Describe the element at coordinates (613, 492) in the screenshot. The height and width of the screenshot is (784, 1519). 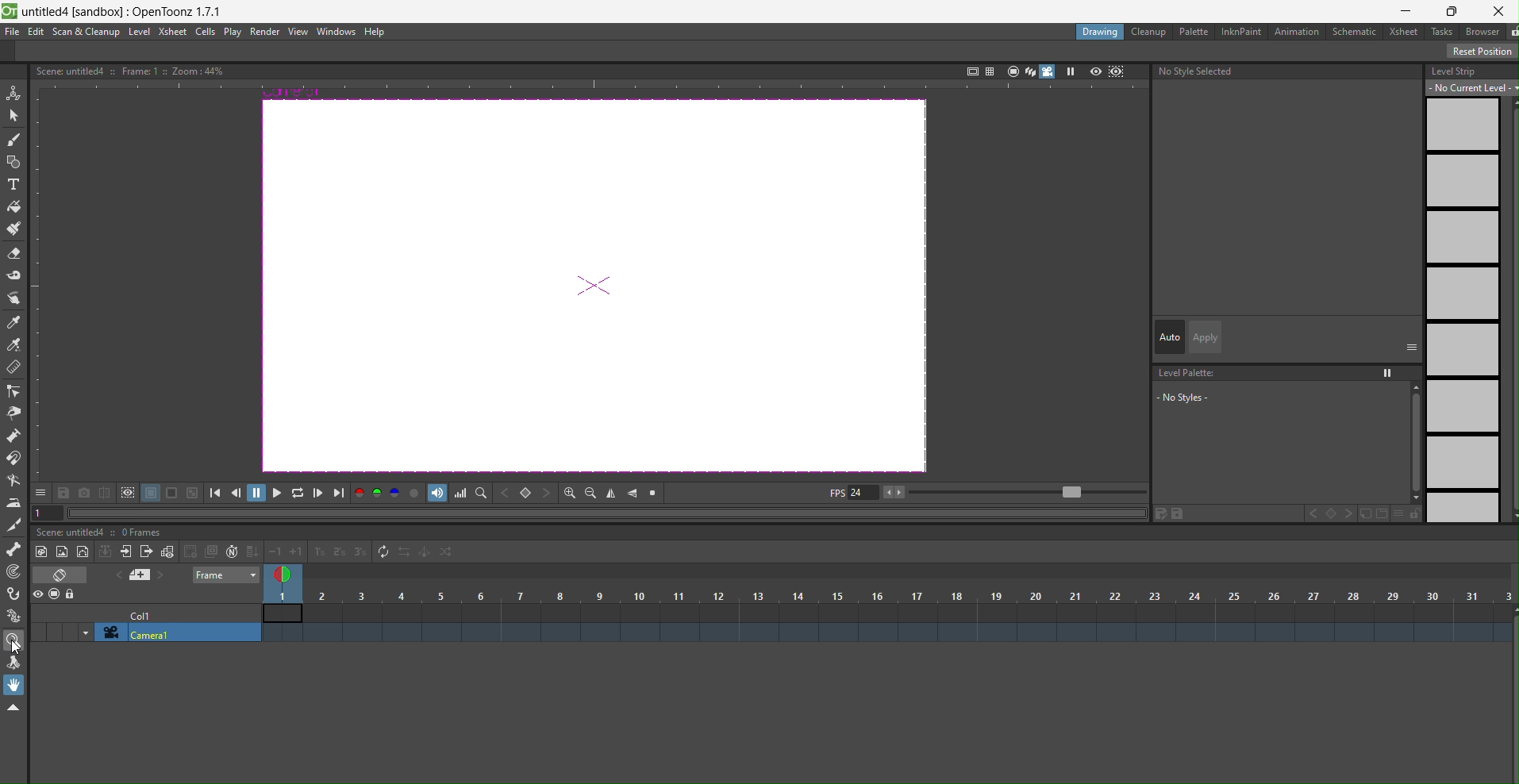
I see `flip vertical` at that location.